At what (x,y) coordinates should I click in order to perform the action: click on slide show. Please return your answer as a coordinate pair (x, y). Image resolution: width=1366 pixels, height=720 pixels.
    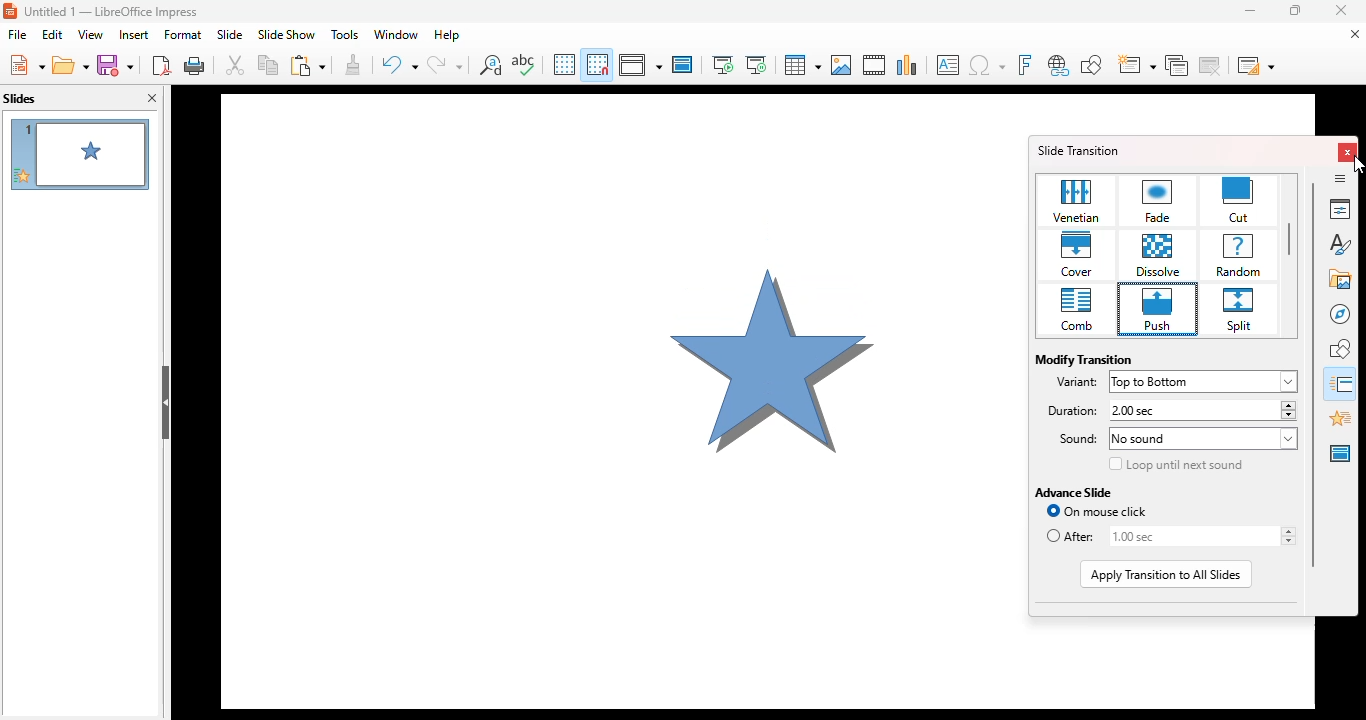
    Looking at the image, I should click on (287, 34).